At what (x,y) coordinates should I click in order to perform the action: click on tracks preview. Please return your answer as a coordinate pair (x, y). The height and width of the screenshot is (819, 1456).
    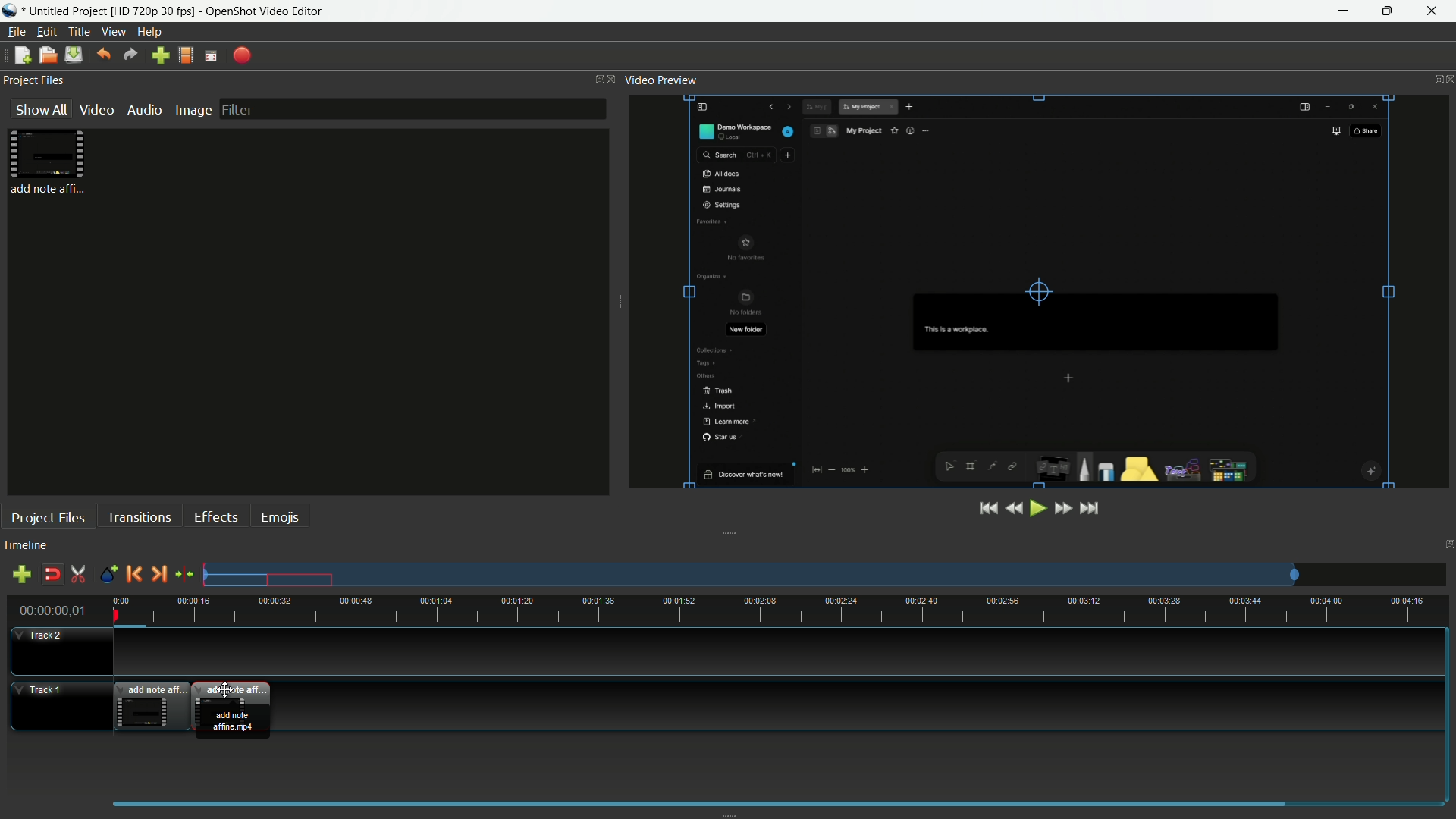
    Looking at the image, I should click on (750, 575).